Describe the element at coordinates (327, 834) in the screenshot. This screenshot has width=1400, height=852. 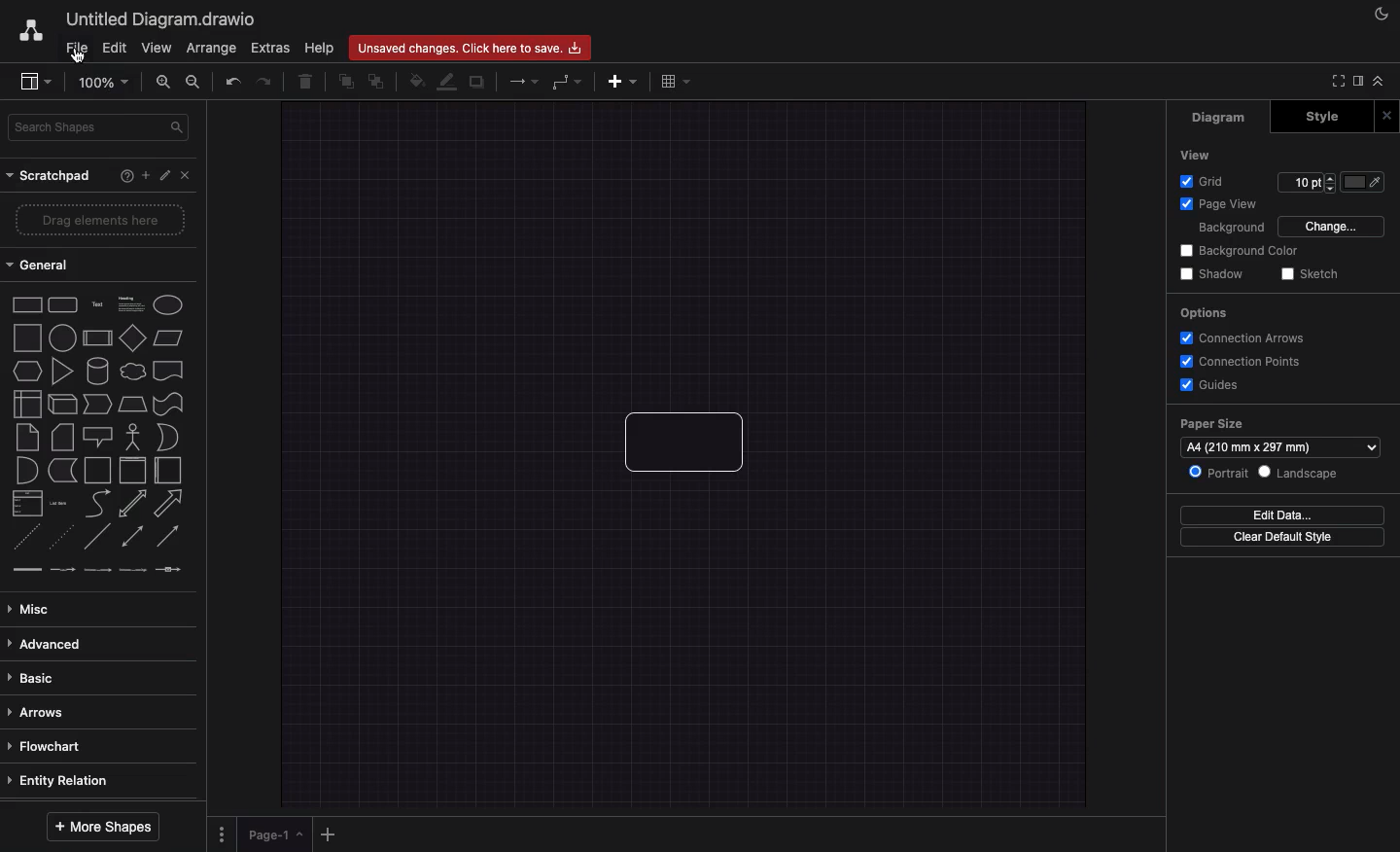
I see `Add` at that location.